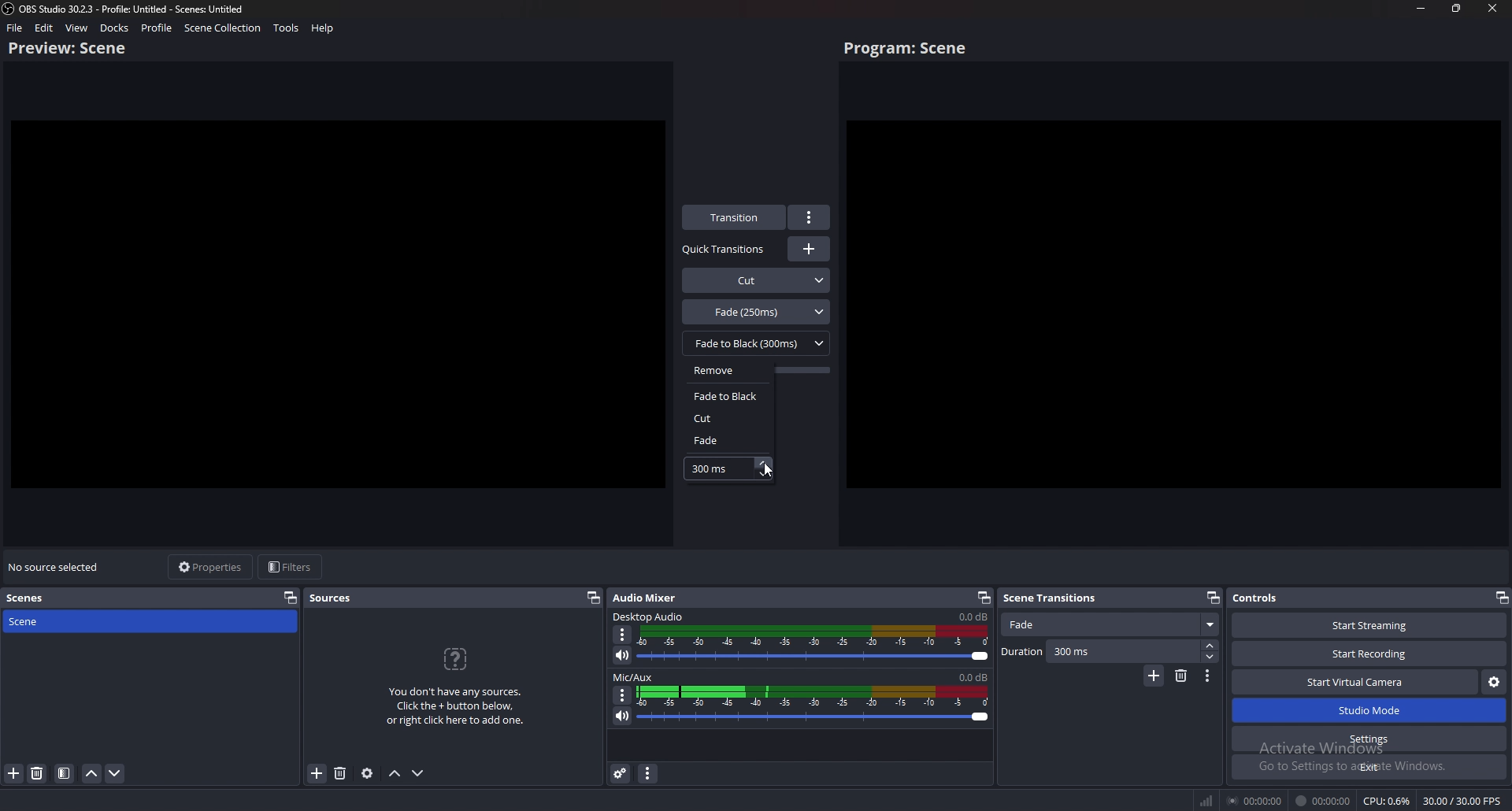 Image resolution: width=1512 pixels, height=811 pixels. What do you see at coordinates (1366, 624) in the screenshot?
I see `Start streaming` at bounding box center [1366, 624].